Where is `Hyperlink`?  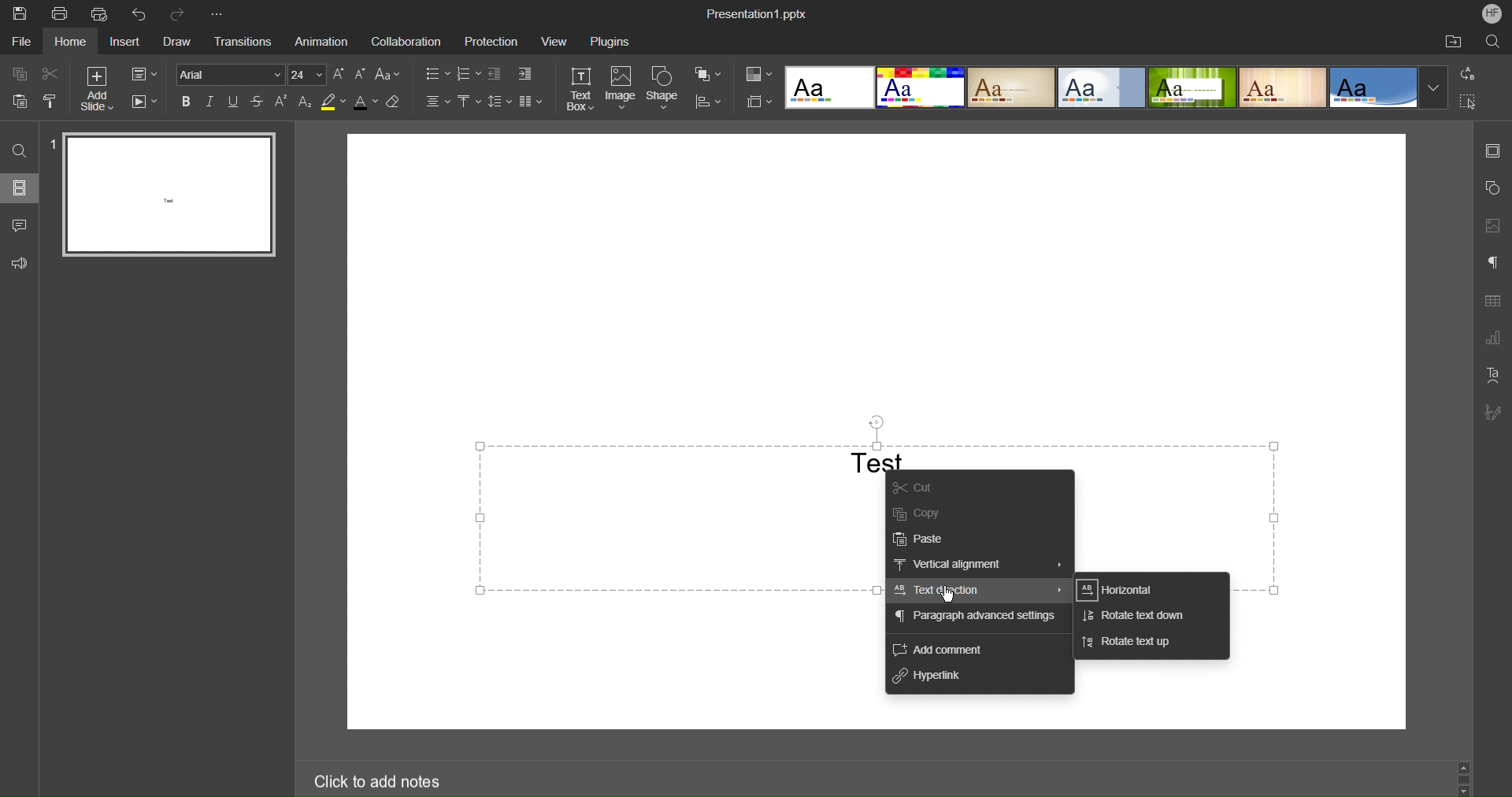
Hyperlink is located at coordinates (933, 680).